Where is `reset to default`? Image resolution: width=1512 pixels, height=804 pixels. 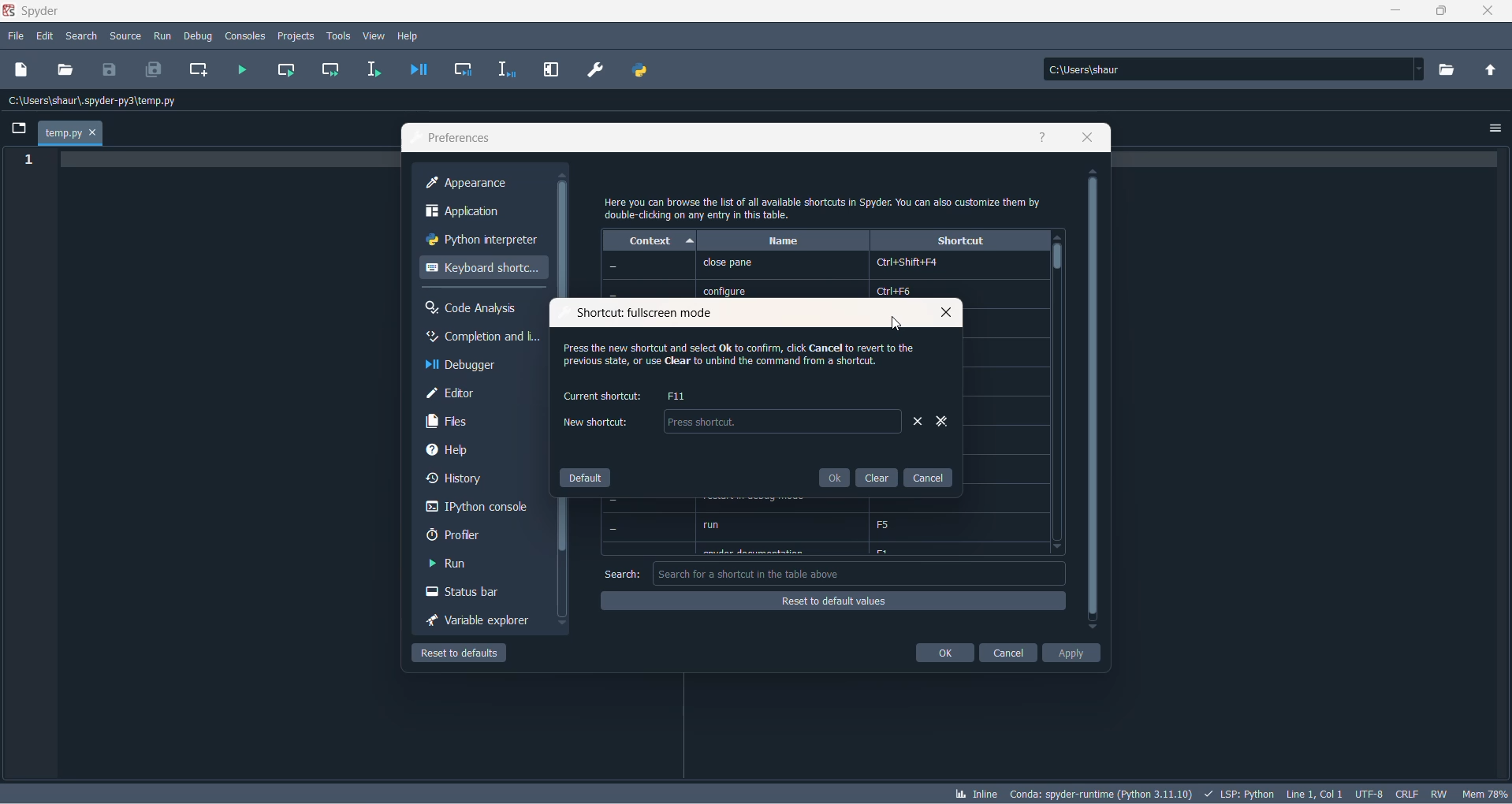
reset to default is located at coordinates (464, 655).